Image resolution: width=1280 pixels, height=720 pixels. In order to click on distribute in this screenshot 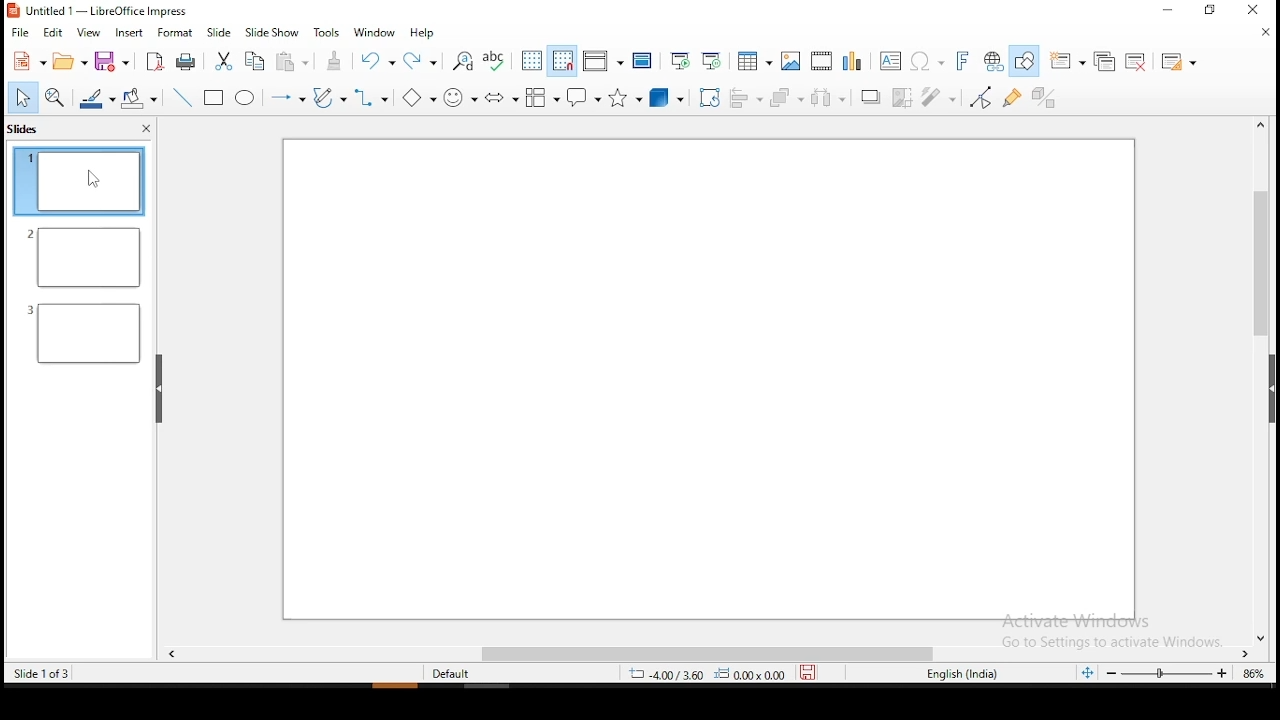, I will do `click(828, 96)`.